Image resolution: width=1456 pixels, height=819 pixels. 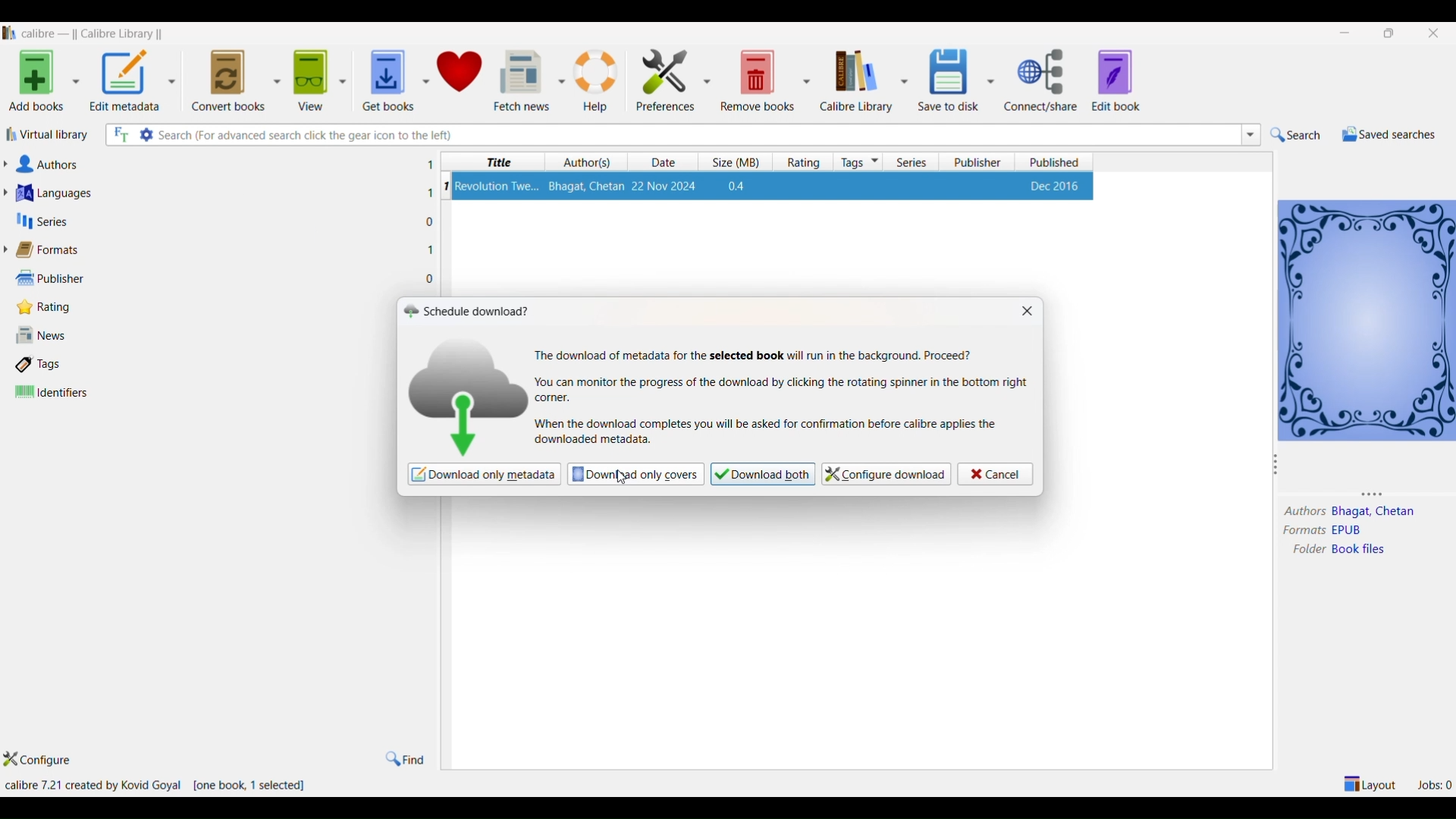 What do you see at coordinates (1362, 550) in the screenshot?
I see `folder name` at bounding box center [1362, 550].